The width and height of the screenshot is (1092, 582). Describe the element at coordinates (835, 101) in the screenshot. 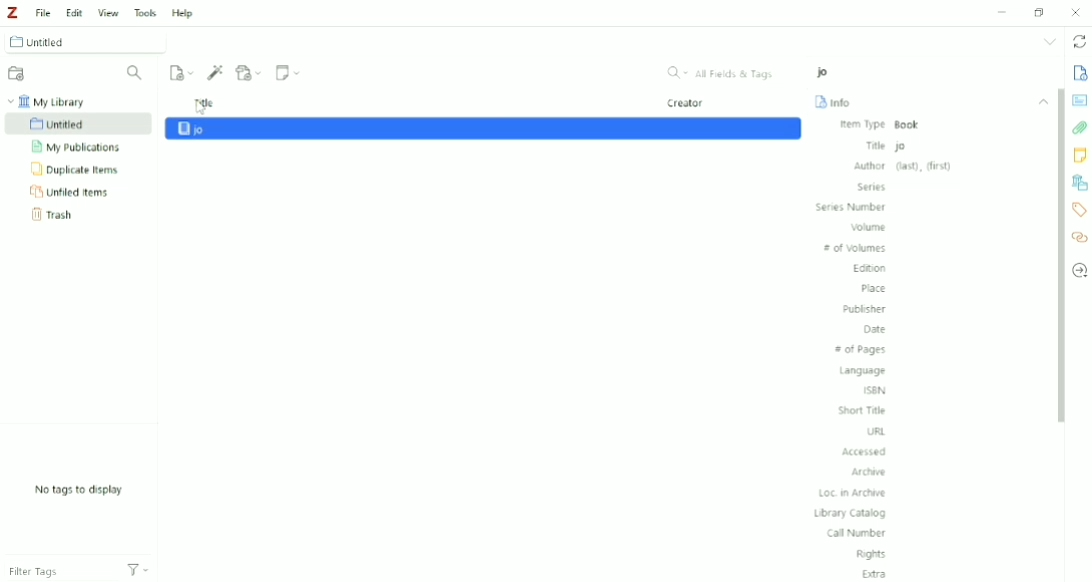

I see `Info` at that location.